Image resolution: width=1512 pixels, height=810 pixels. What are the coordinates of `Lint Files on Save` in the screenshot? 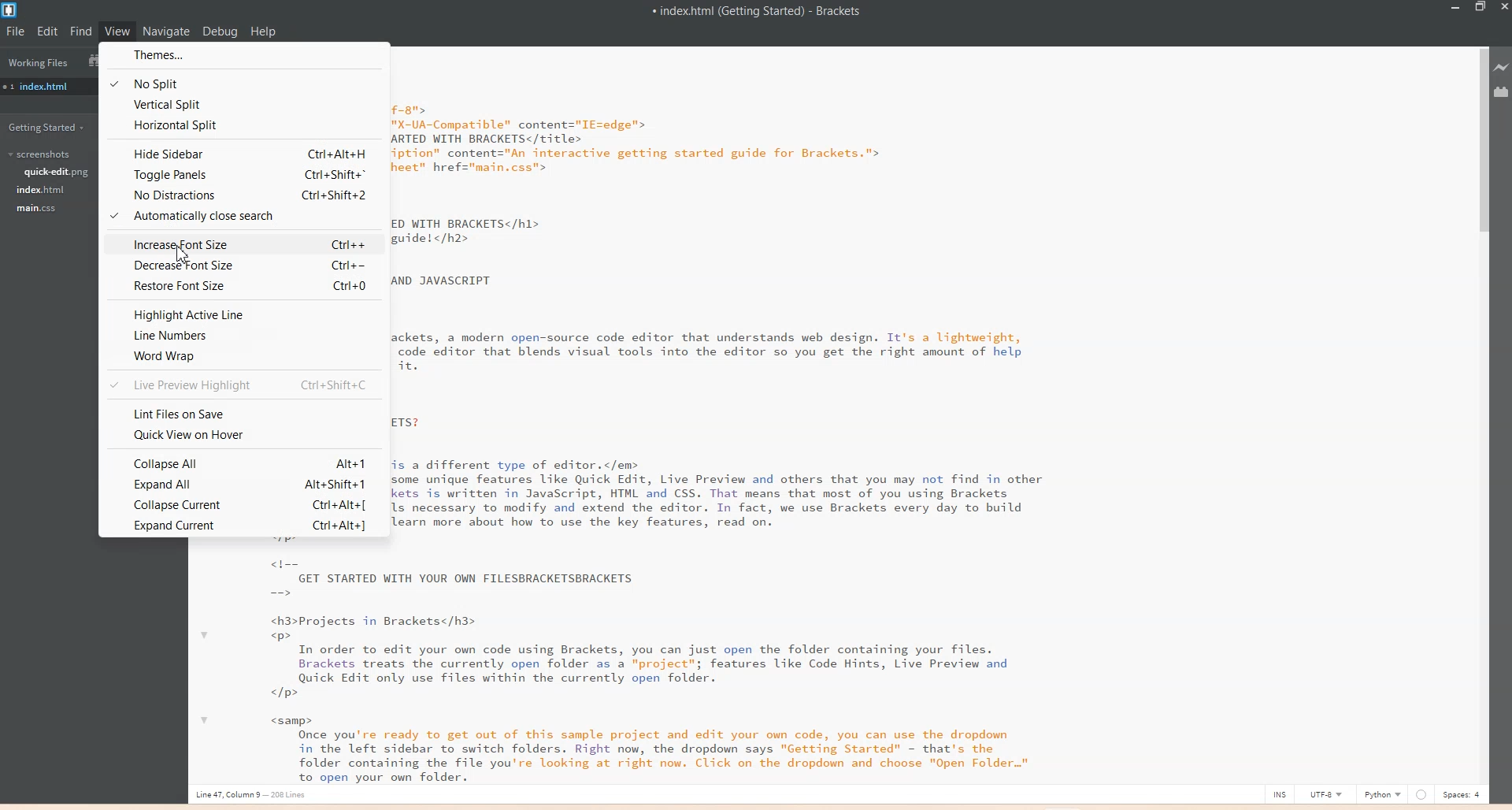 It's located at (244, 414).